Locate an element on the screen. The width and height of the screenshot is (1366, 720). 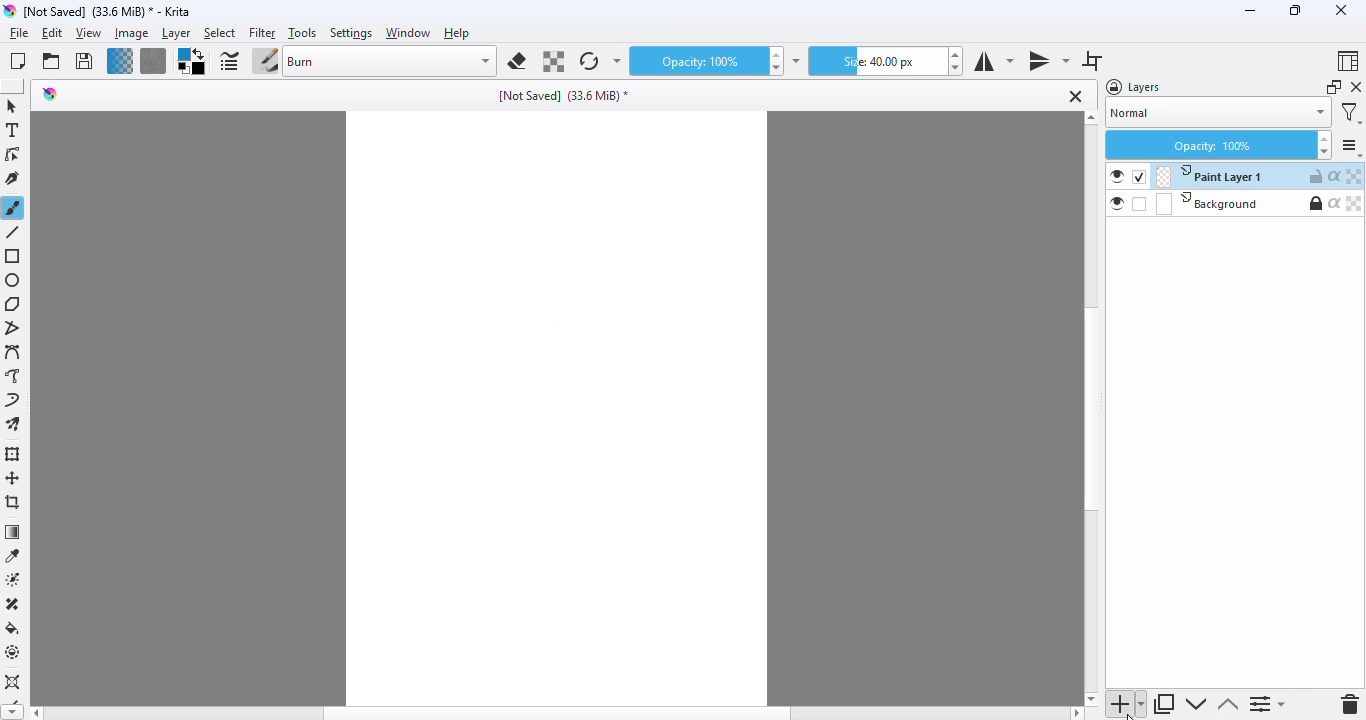
 close is located at coordinates (1340, 10).